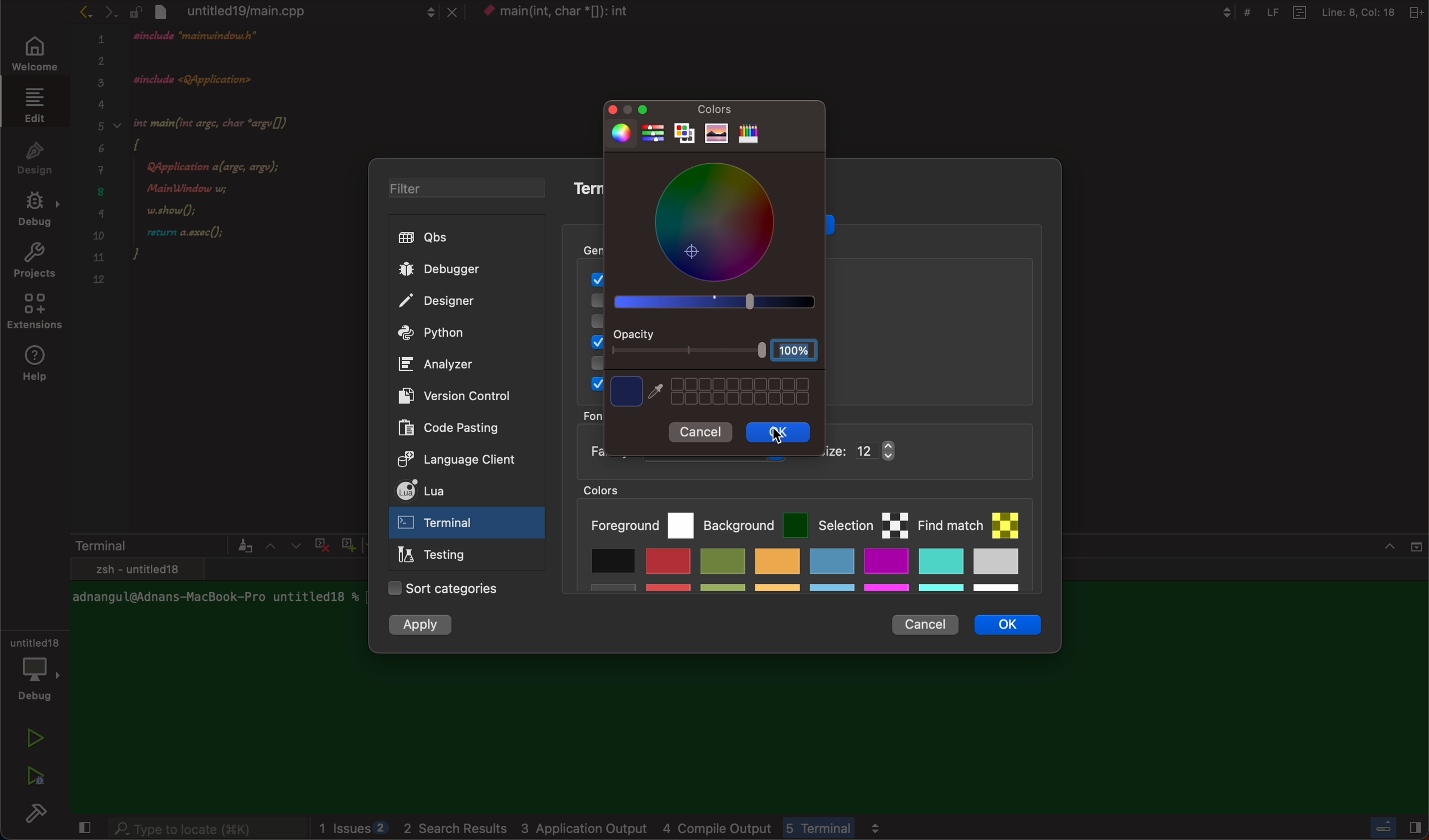 The height and width of the screenshot is (840, 1429). Describe the element at coordinates (34, 775) in the screenshot. I see `run and debug` at that location.